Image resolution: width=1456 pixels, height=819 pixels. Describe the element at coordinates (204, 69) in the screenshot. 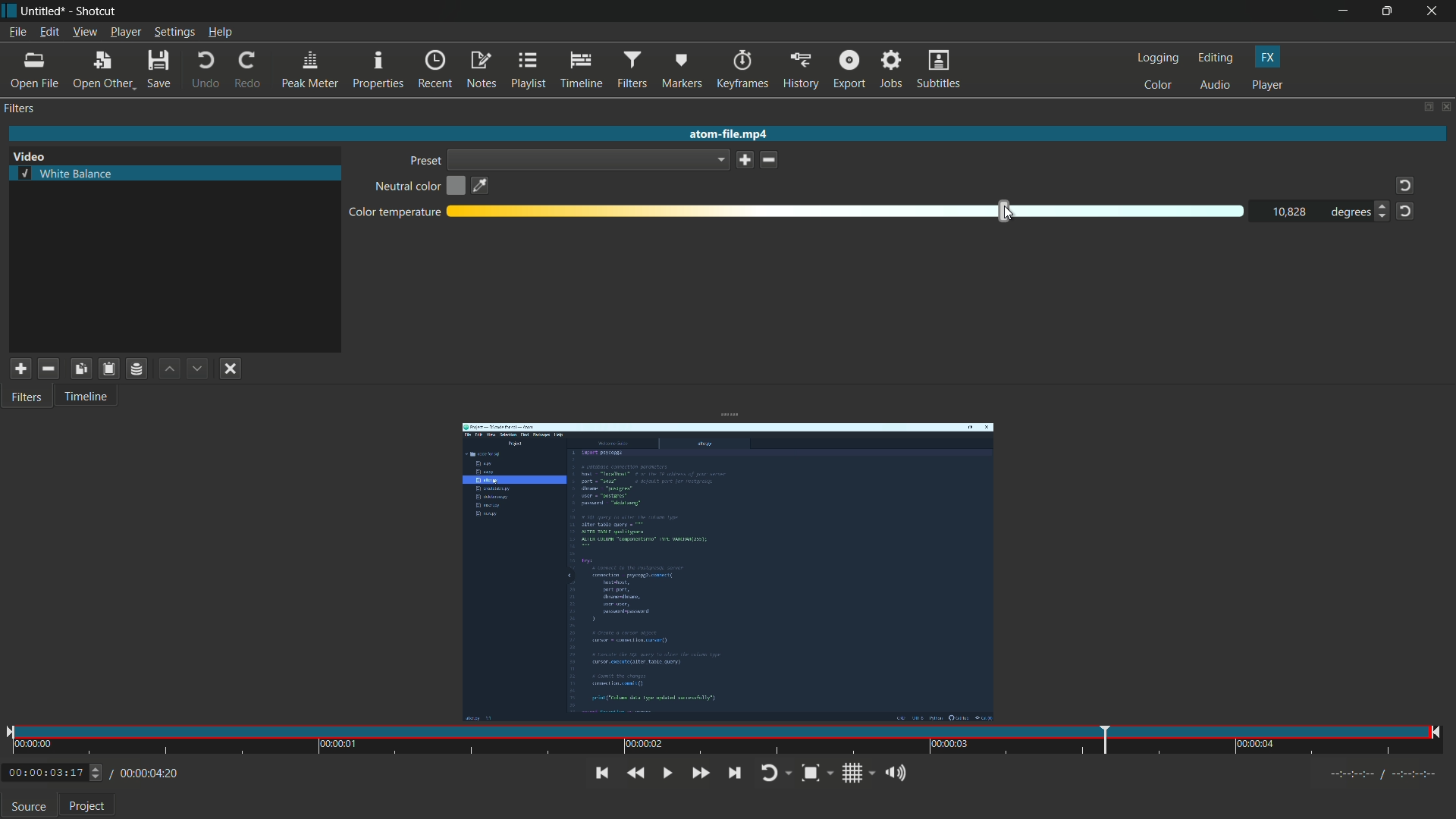

I see `undo` at that location.